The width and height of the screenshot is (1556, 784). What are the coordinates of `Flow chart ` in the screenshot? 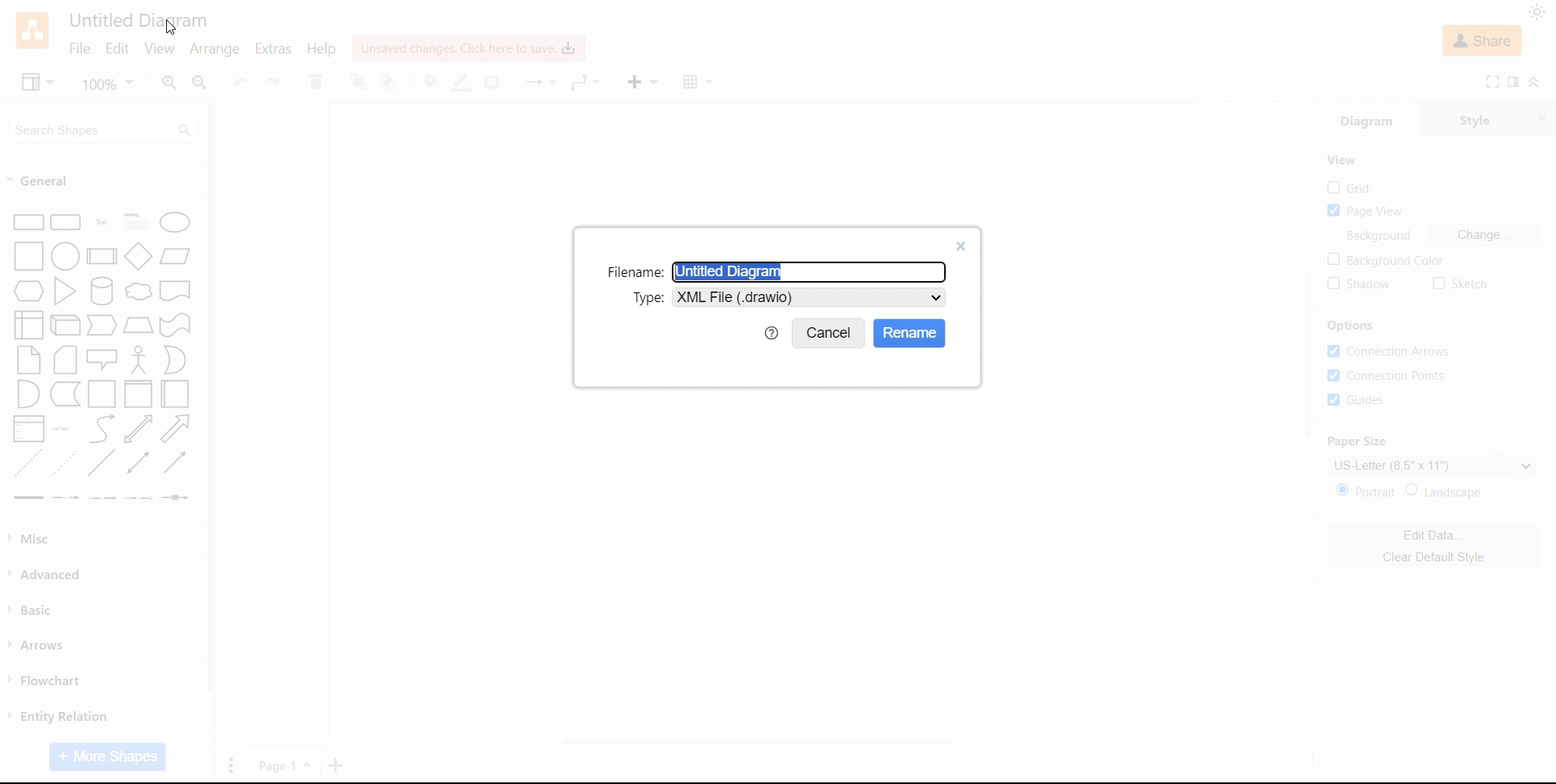 It's located at (45, 681).